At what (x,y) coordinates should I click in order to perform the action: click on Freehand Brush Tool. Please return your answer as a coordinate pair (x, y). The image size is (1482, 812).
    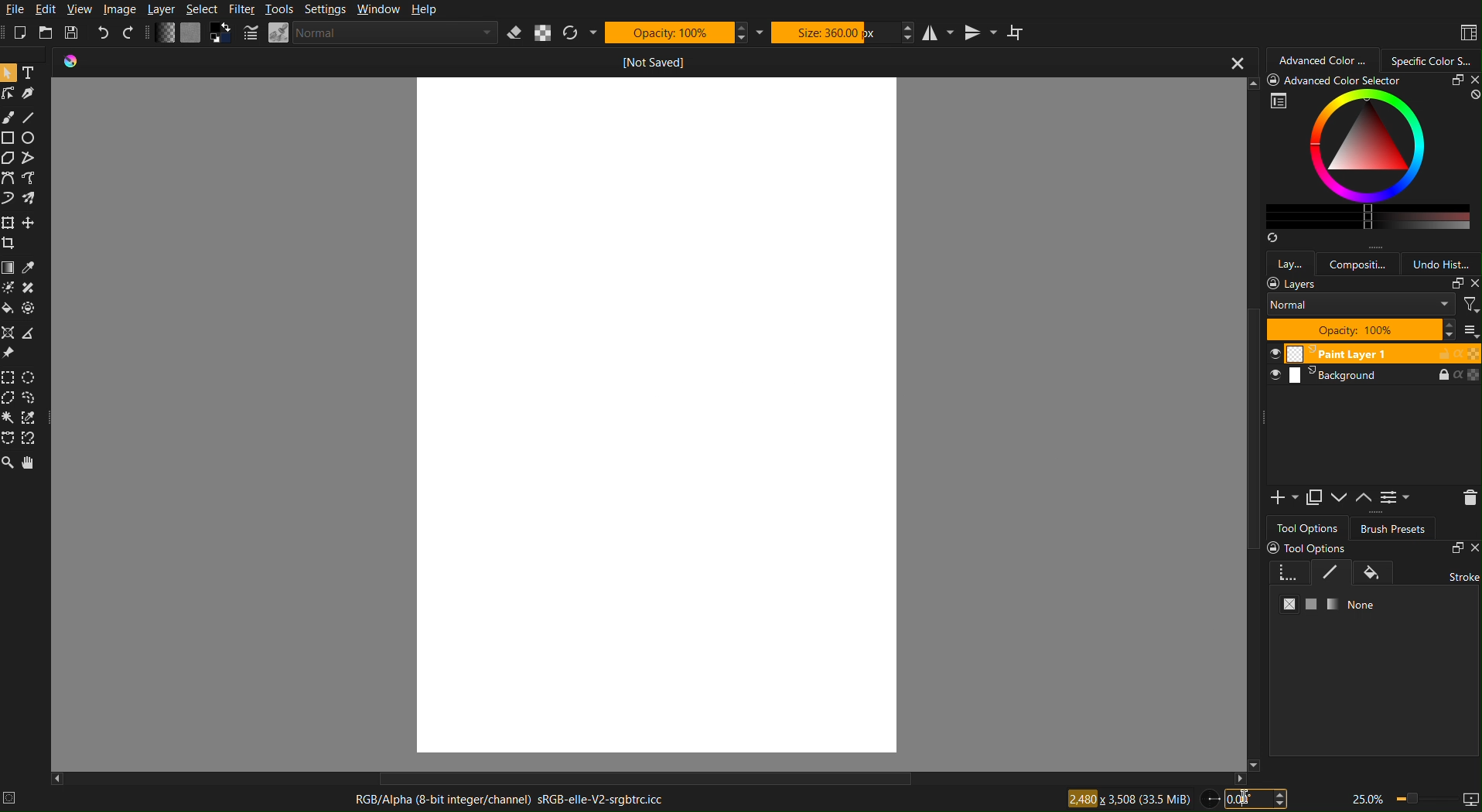
    Looking at the image, I should click on (9, 199).